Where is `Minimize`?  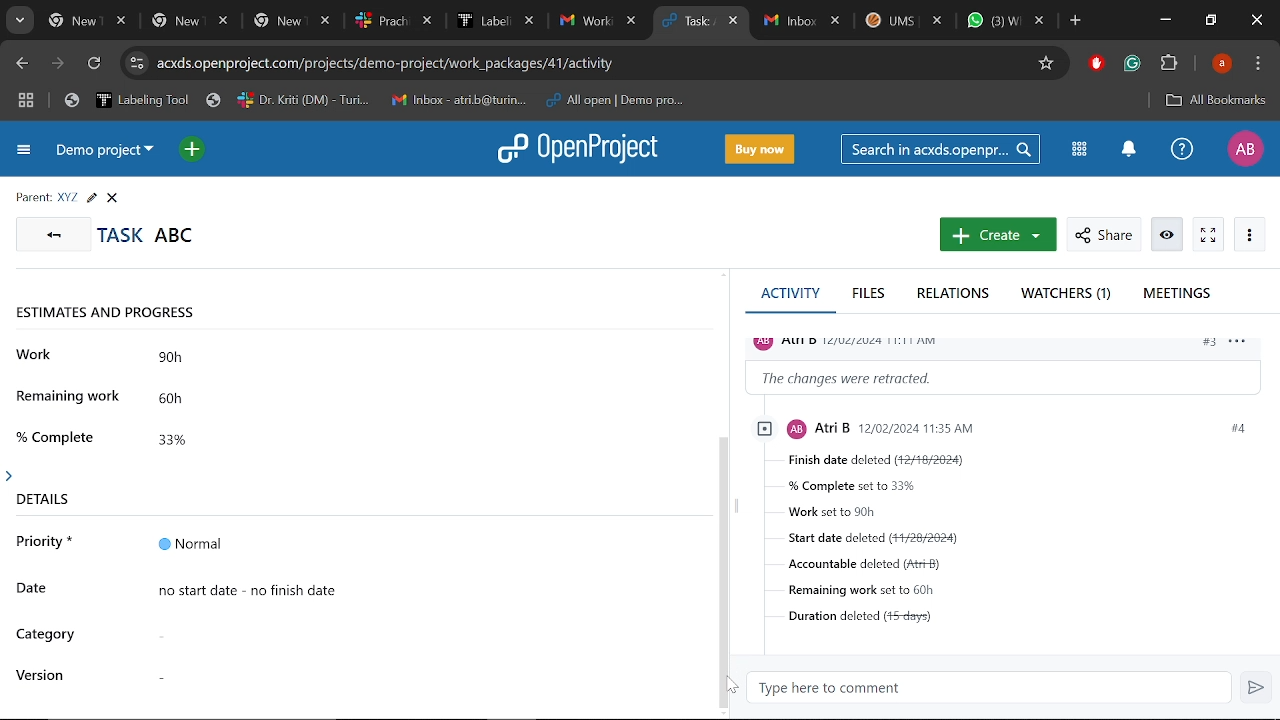
Minimize is located at coordinates (1165, 19).